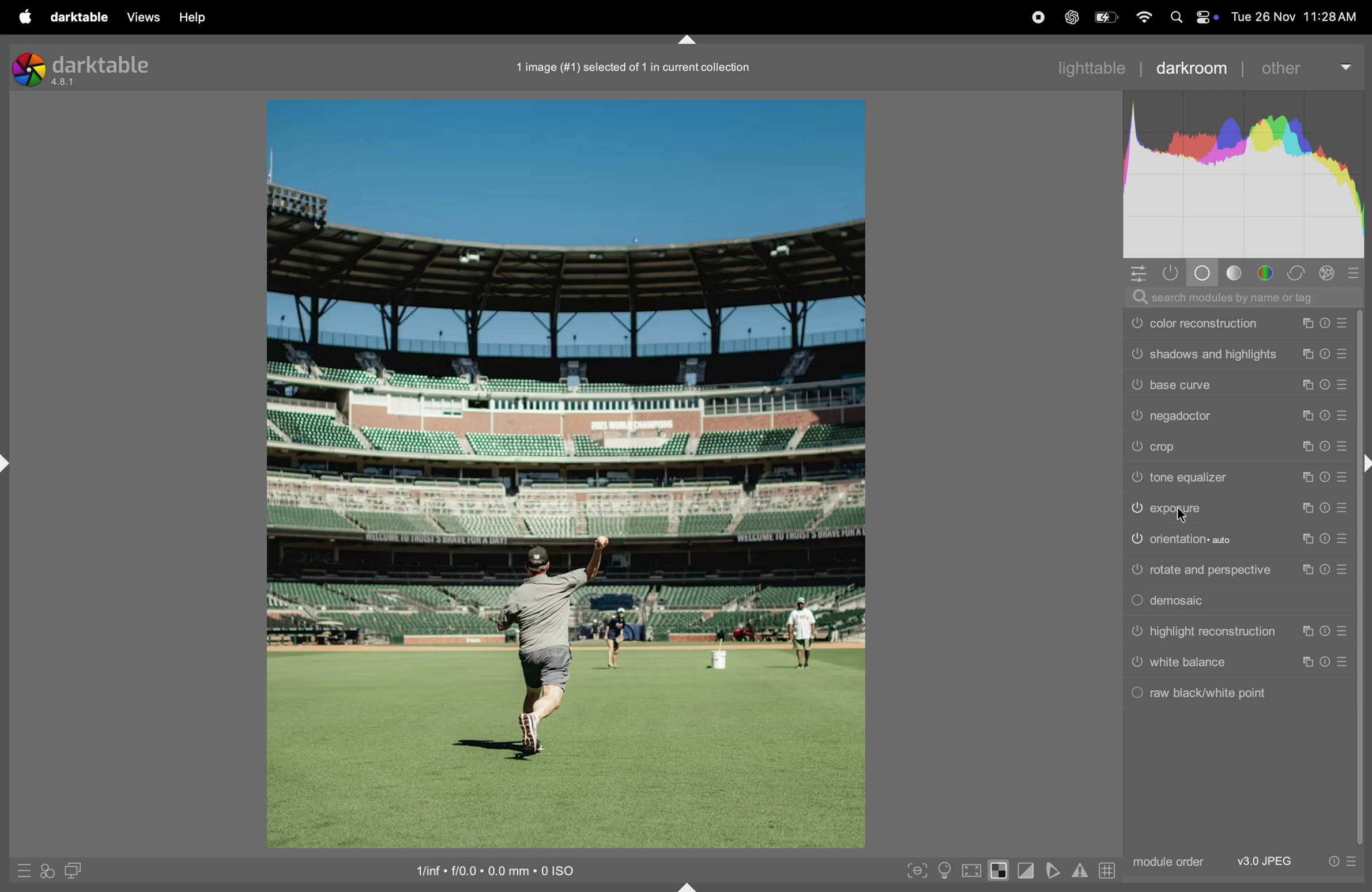 This screenshot has height=892, width=1372. What do you see at coordinates (1342, 447) in the screenshot?
I see `Presets ` at bounding box center [1342, 447].